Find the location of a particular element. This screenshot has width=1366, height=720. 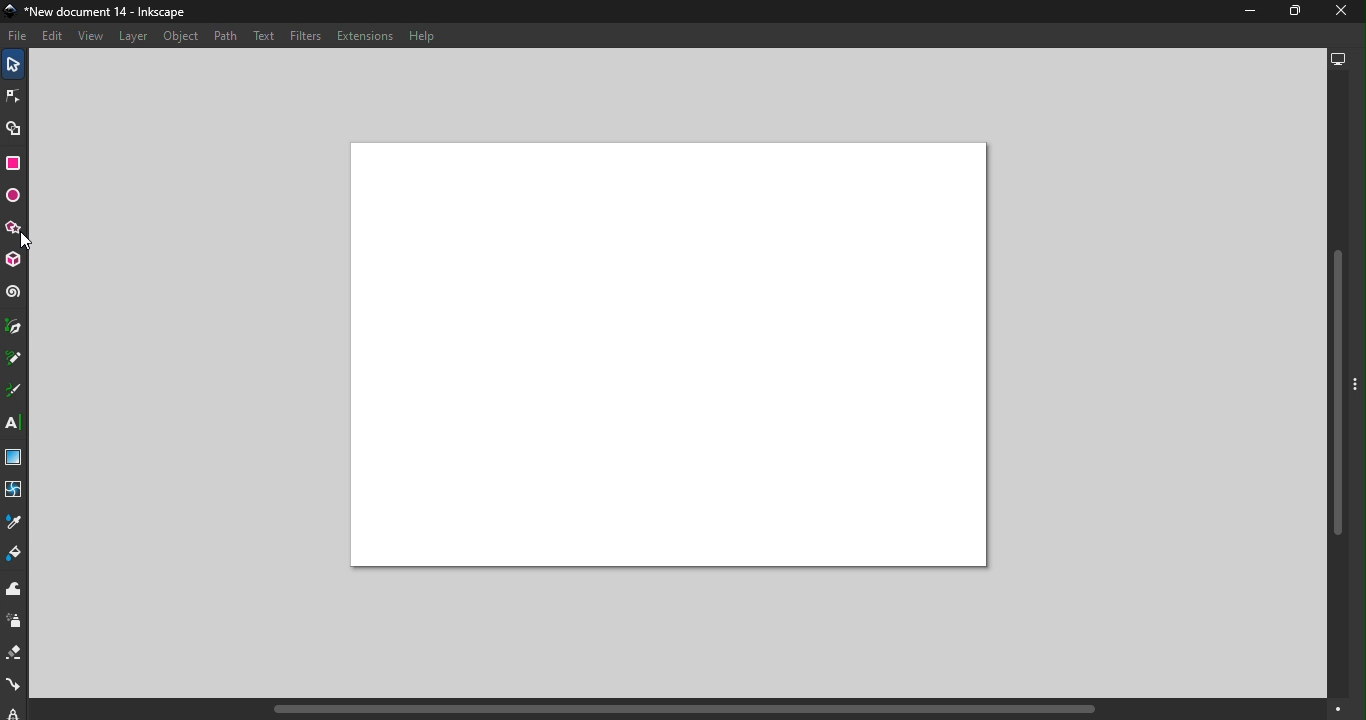

View is located at coordinates (93, 36).